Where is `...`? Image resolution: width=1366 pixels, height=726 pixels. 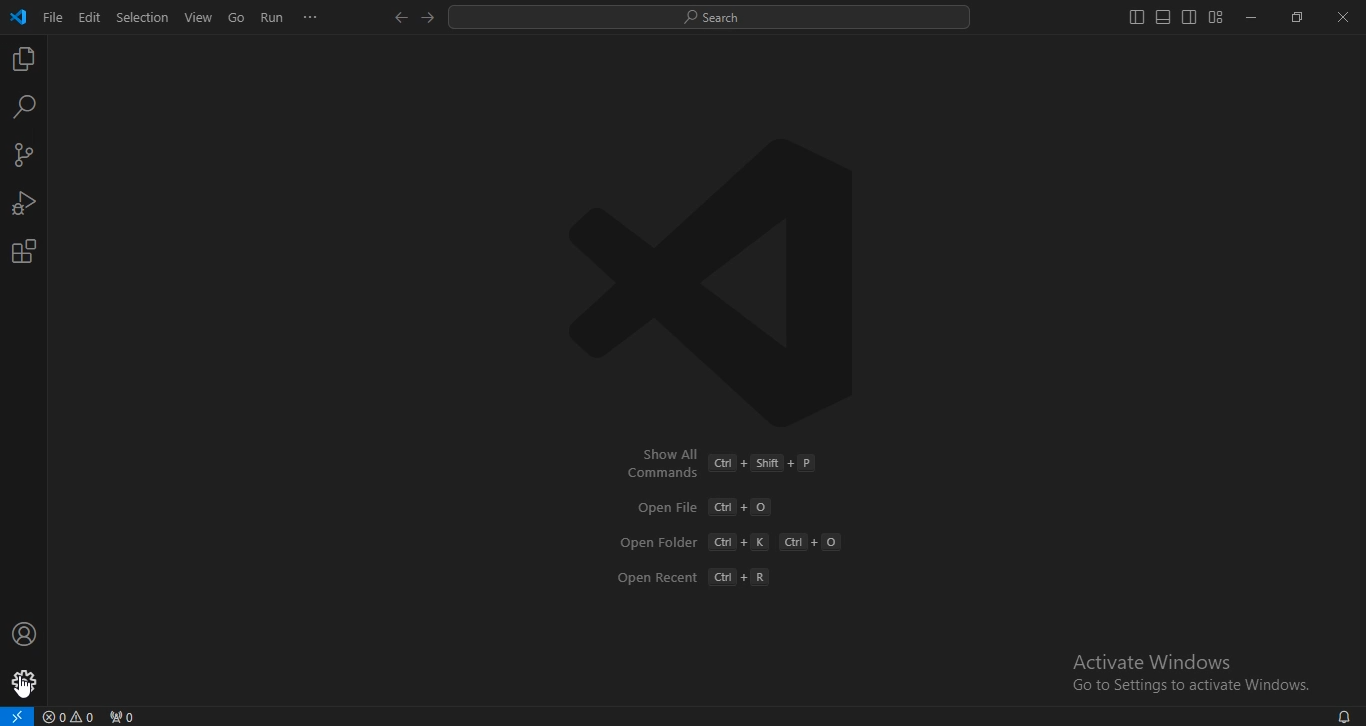
... is located at coordinates (311, 17).